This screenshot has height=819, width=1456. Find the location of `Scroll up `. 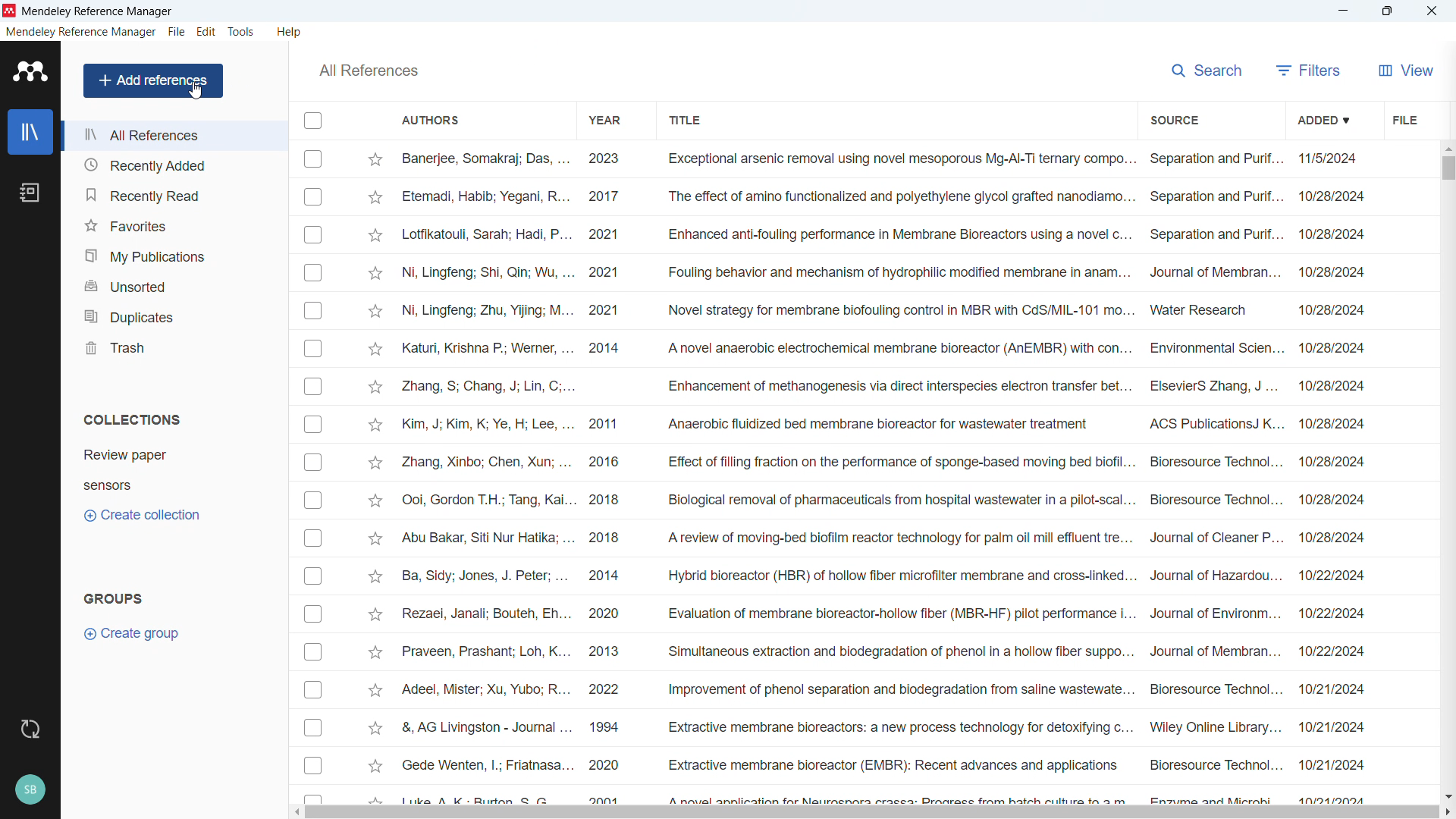

Scroll up  is located at coordinates (1447, 147).